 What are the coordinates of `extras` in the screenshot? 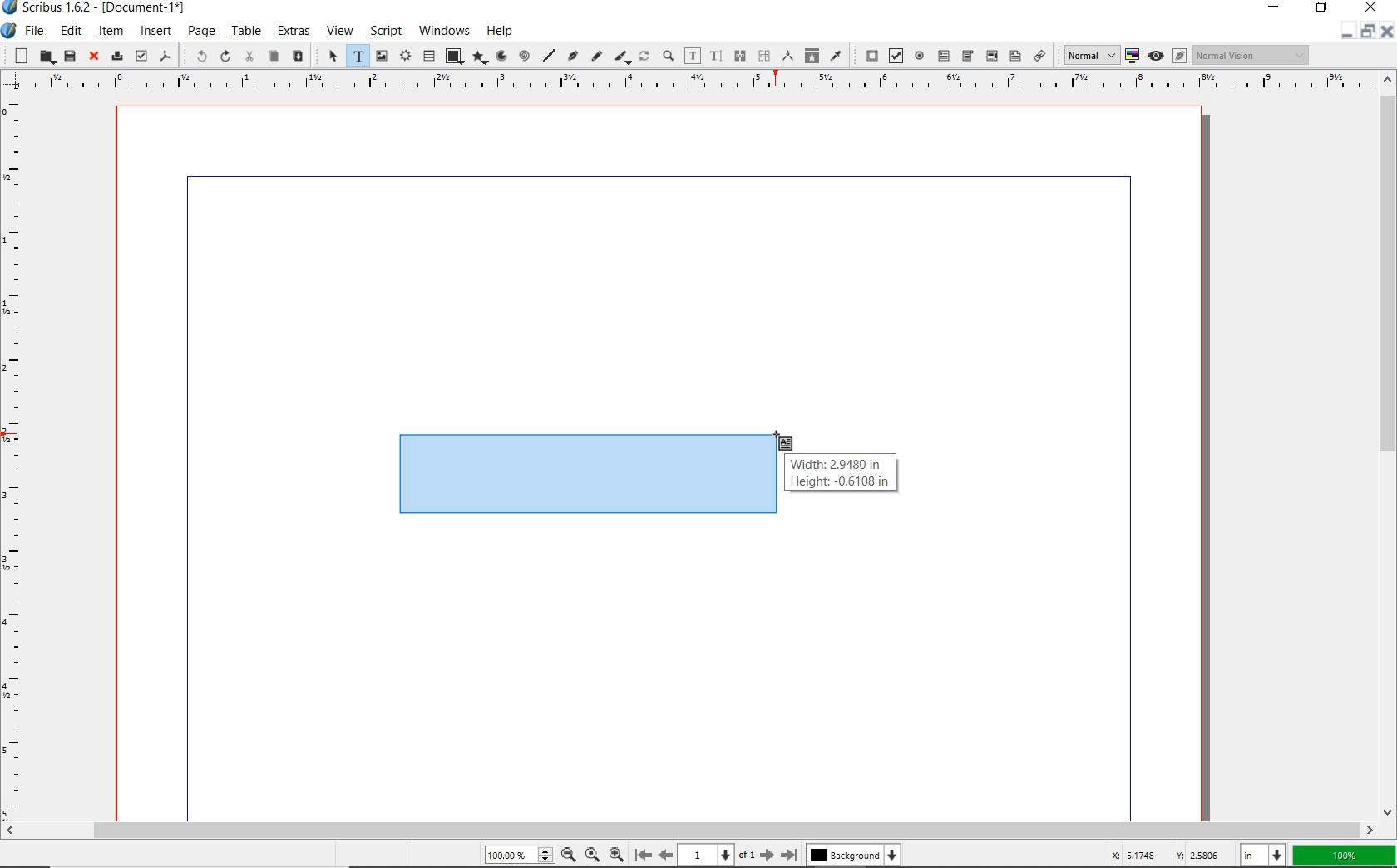 It's located at (293, 33).